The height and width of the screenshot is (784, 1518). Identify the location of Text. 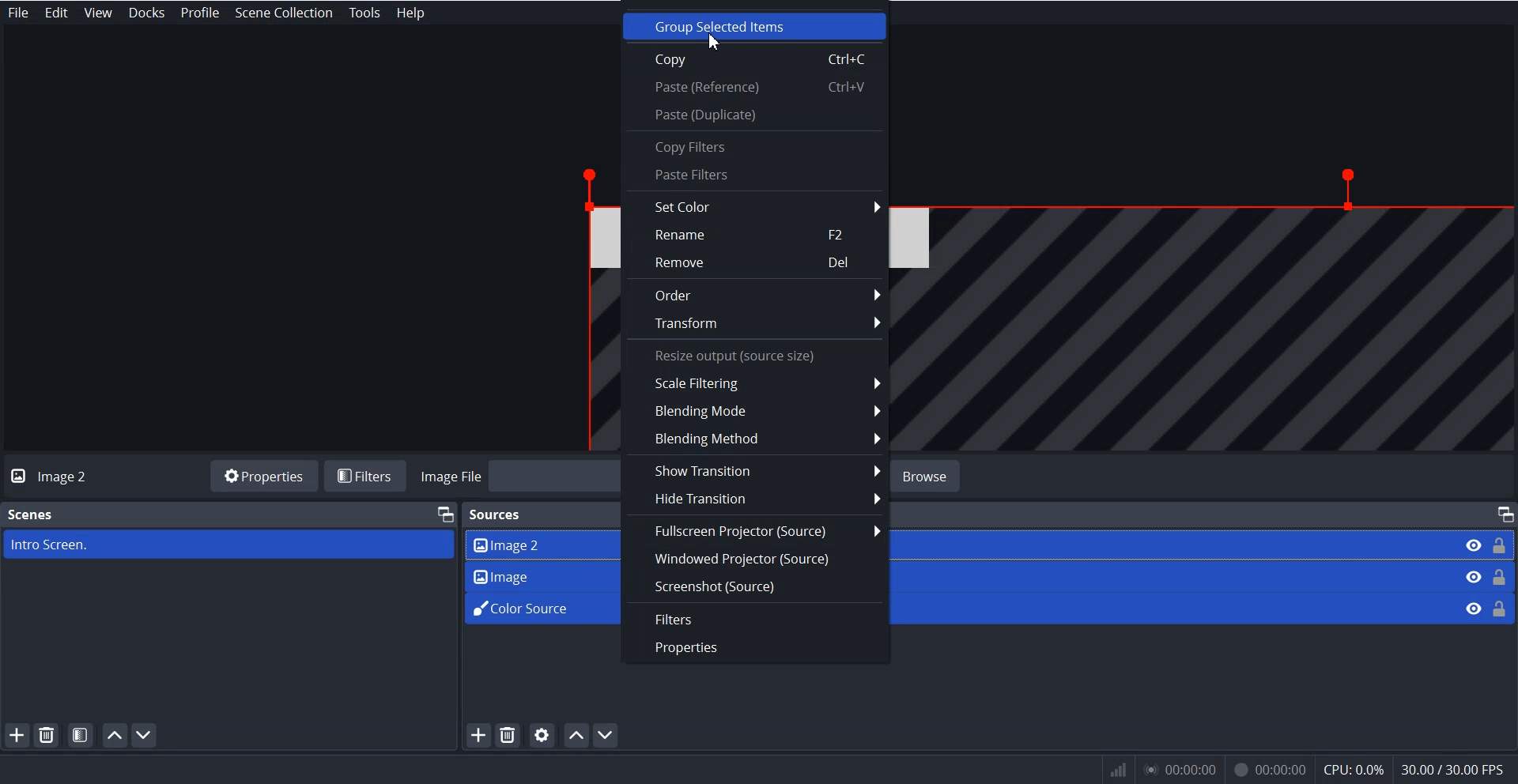
(754, 355).